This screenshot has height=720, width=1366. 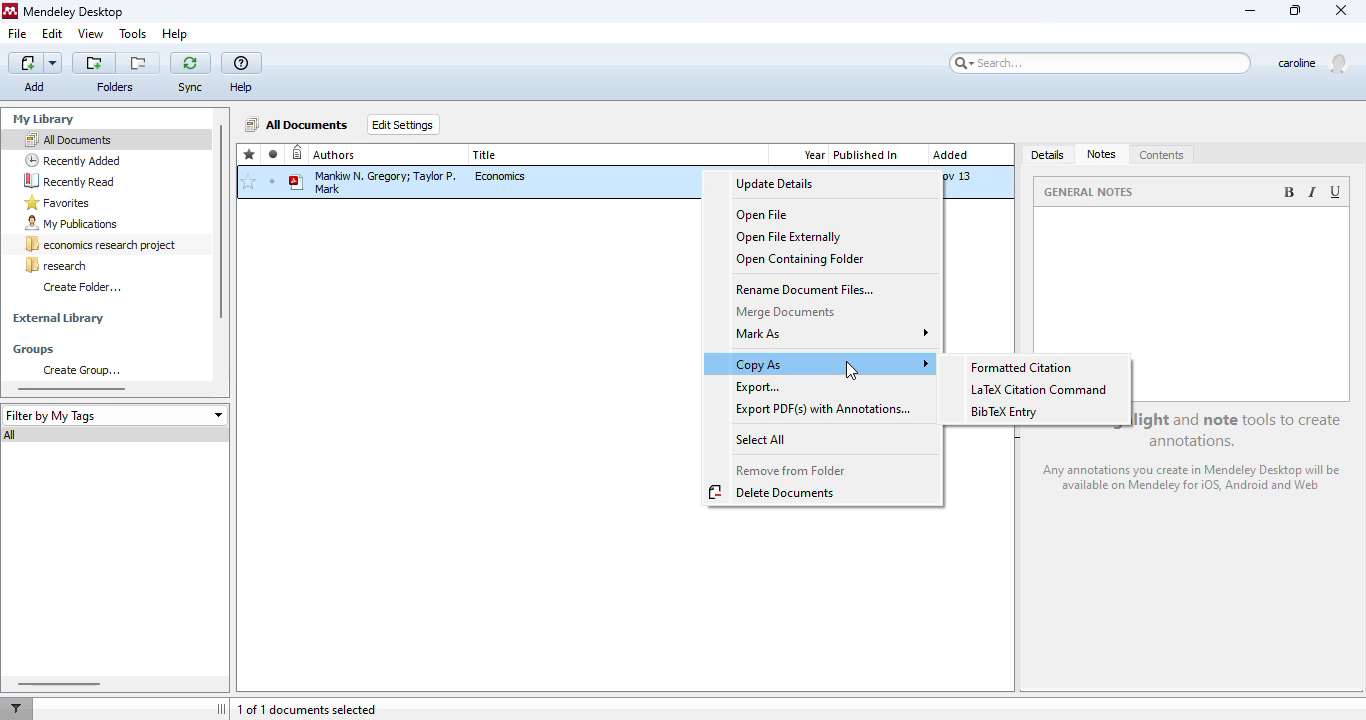 What do you see at coordinates (57, 683) in the screenshot?
I see `horizontal scroll bar` at bounding box center [57, 683].